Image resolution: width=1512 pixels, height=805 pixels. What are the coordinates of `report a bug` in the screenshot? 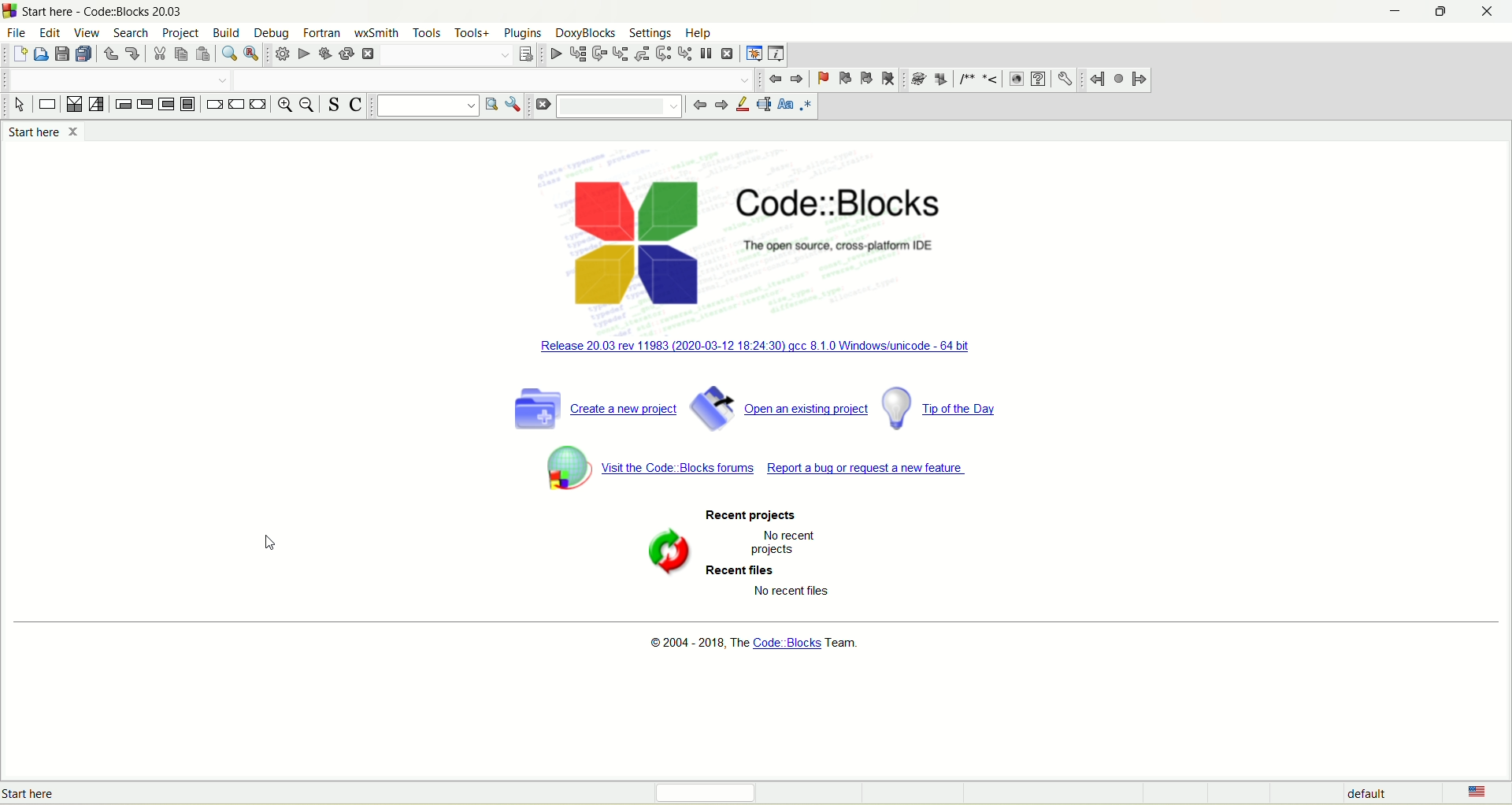 It's located at (790, 469).